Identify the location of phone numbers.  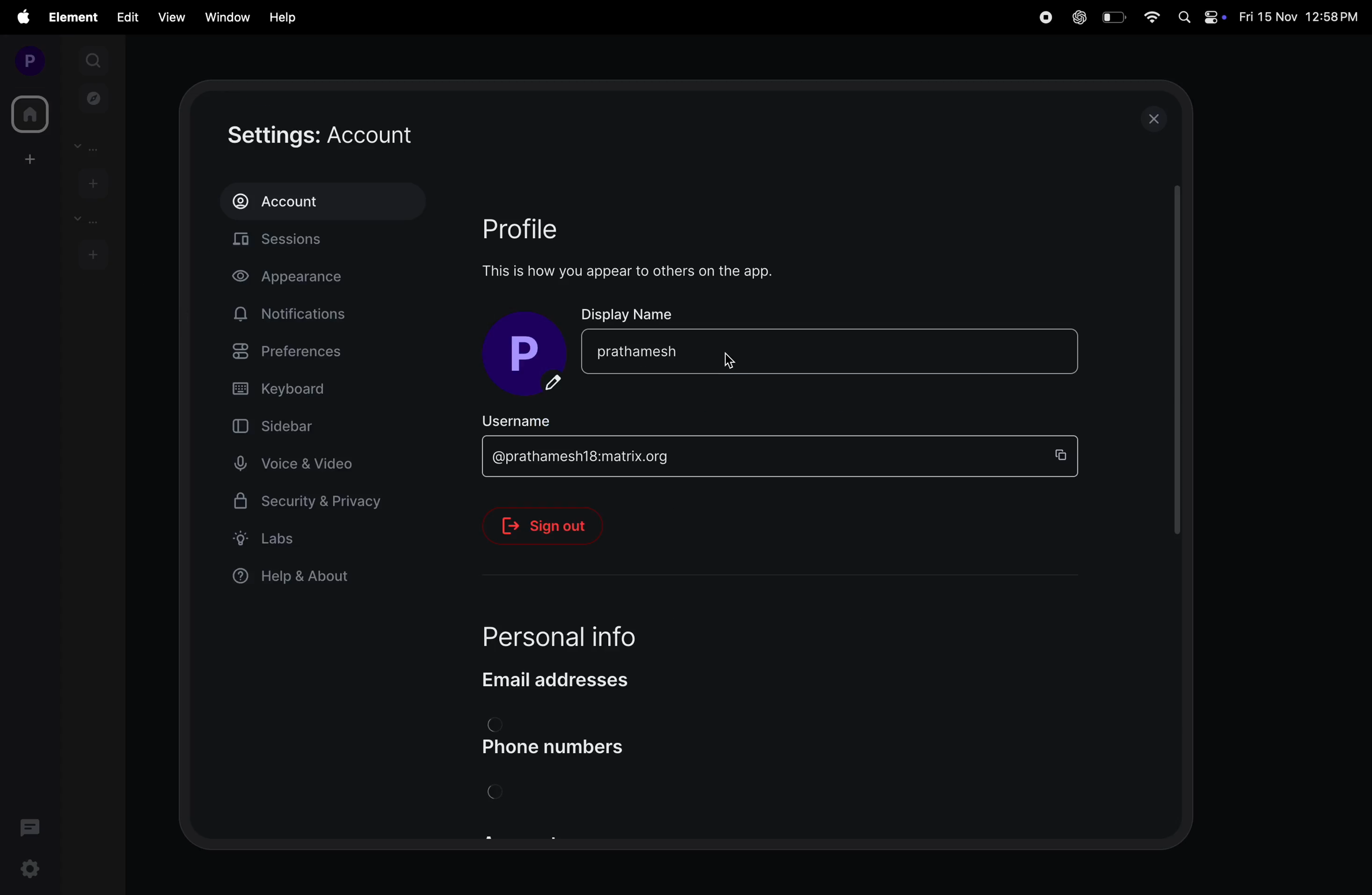
(566, 748).